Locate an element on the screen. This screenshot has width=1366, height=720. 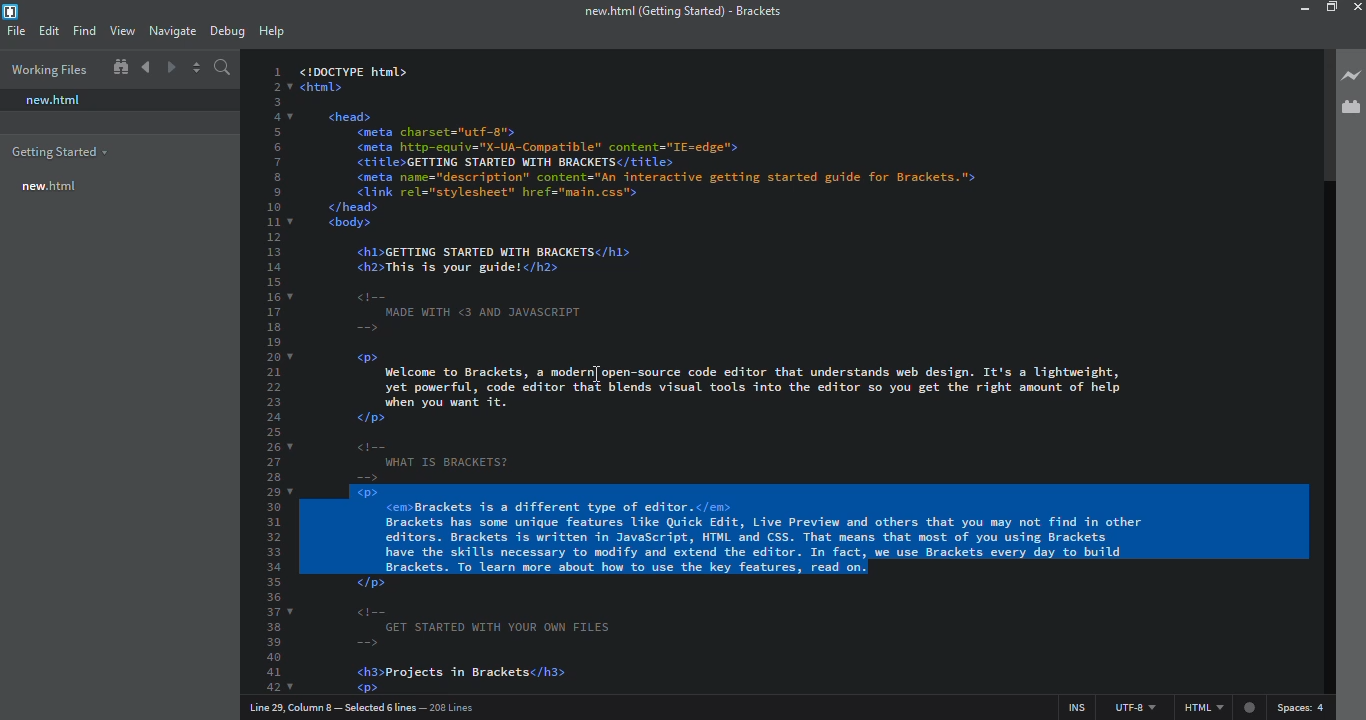
view is located at coordinates (124, 28).